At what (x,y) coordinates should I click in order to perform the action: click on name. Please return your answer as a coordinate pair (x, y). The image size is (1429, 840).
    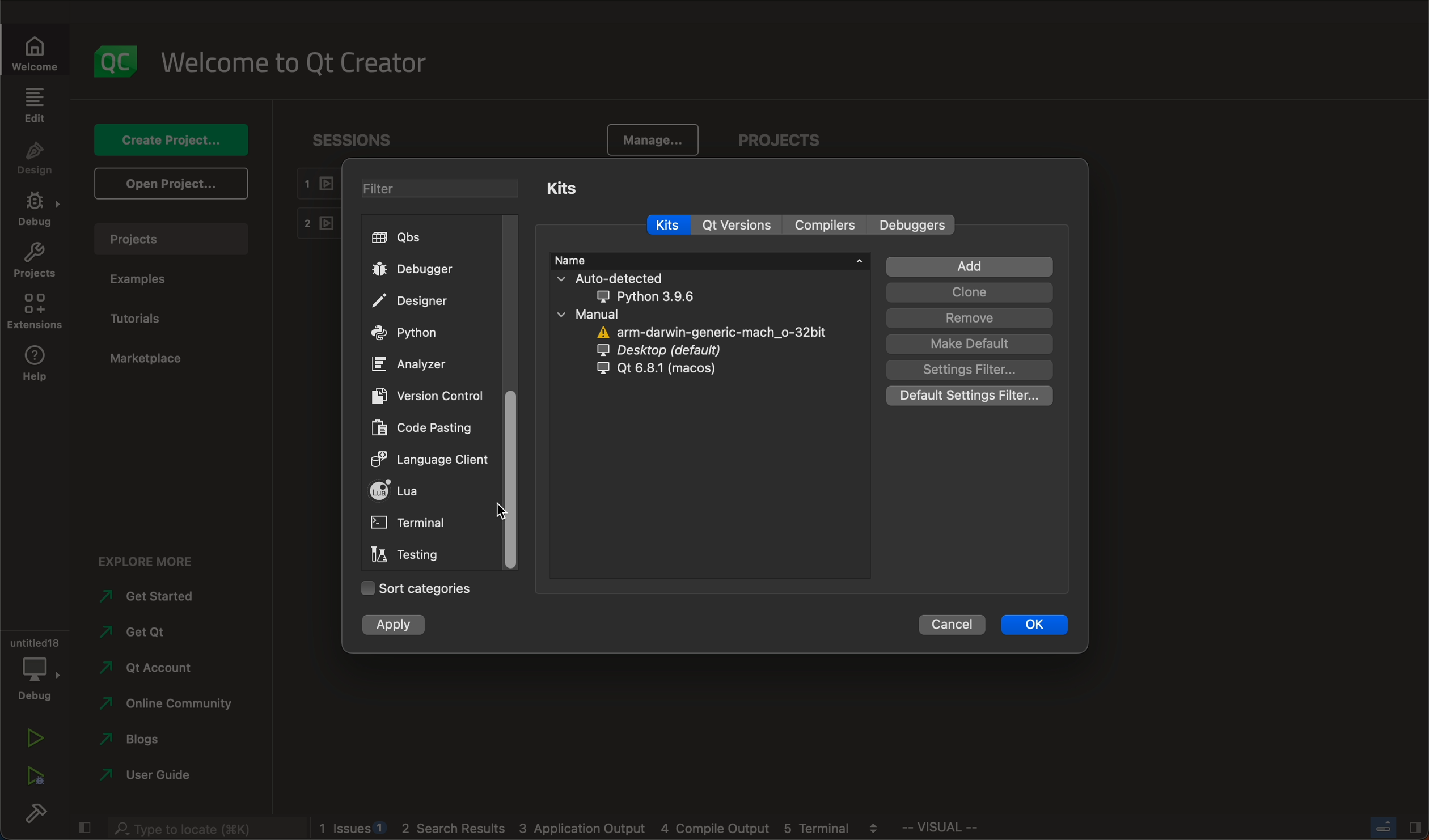
    Looking at the image, I should click on (710, 260).